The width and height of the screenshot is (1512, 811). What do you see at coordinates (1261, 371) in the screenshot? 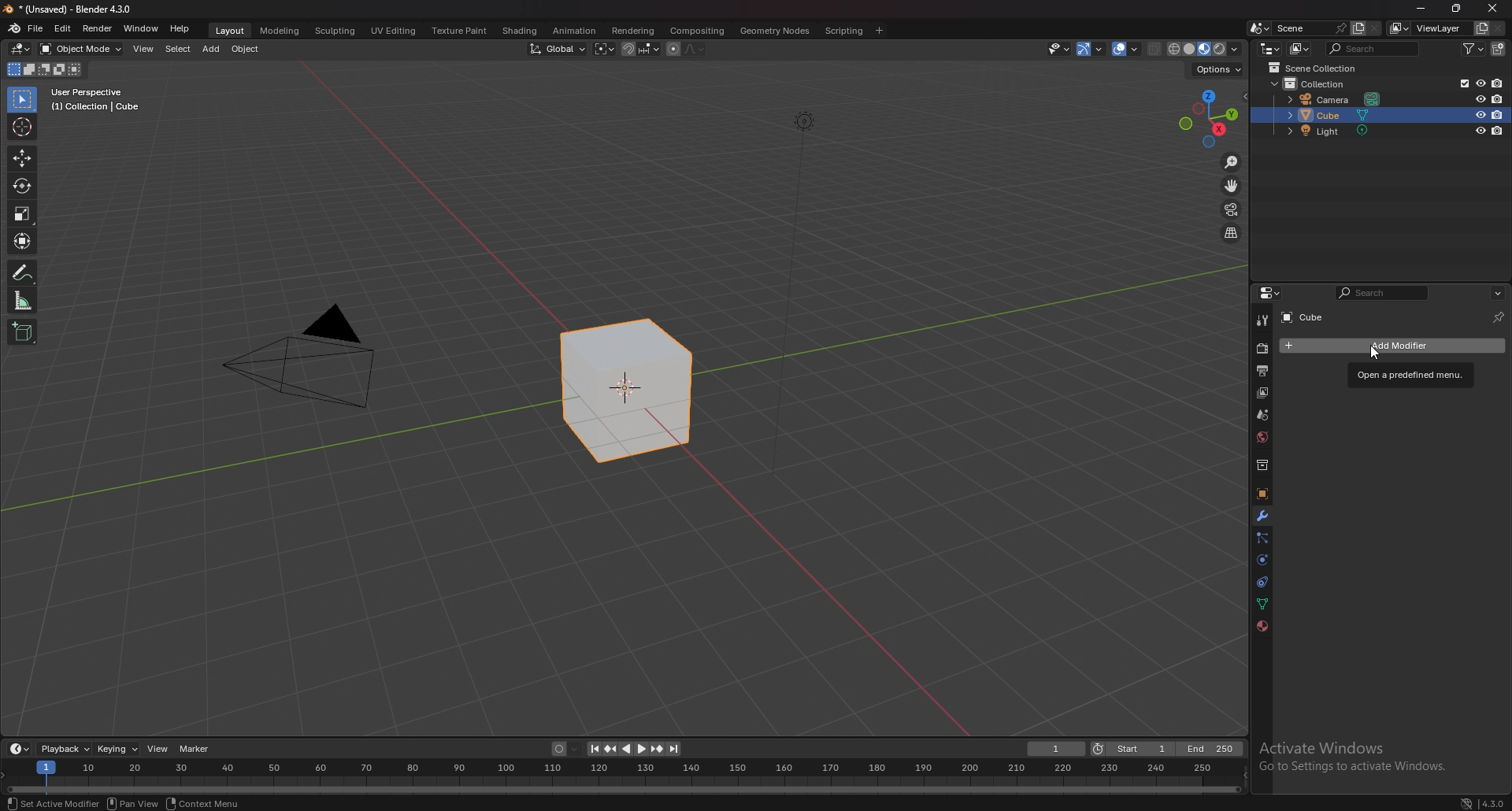
I see `output` at bounding box center [1261, 371].